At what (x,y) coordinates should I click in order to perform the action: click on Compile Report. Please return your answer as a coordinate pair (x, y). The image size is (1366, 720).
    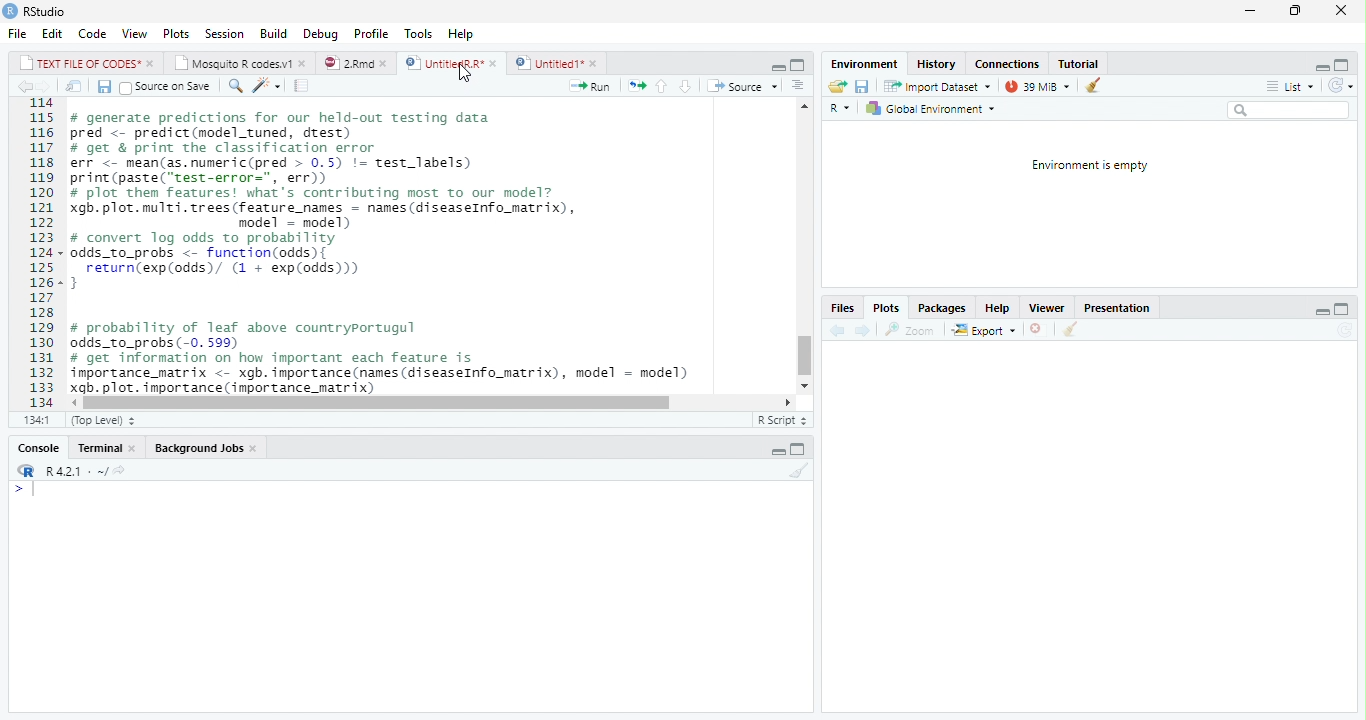
    Looking at the image, I should click on (301, 85).